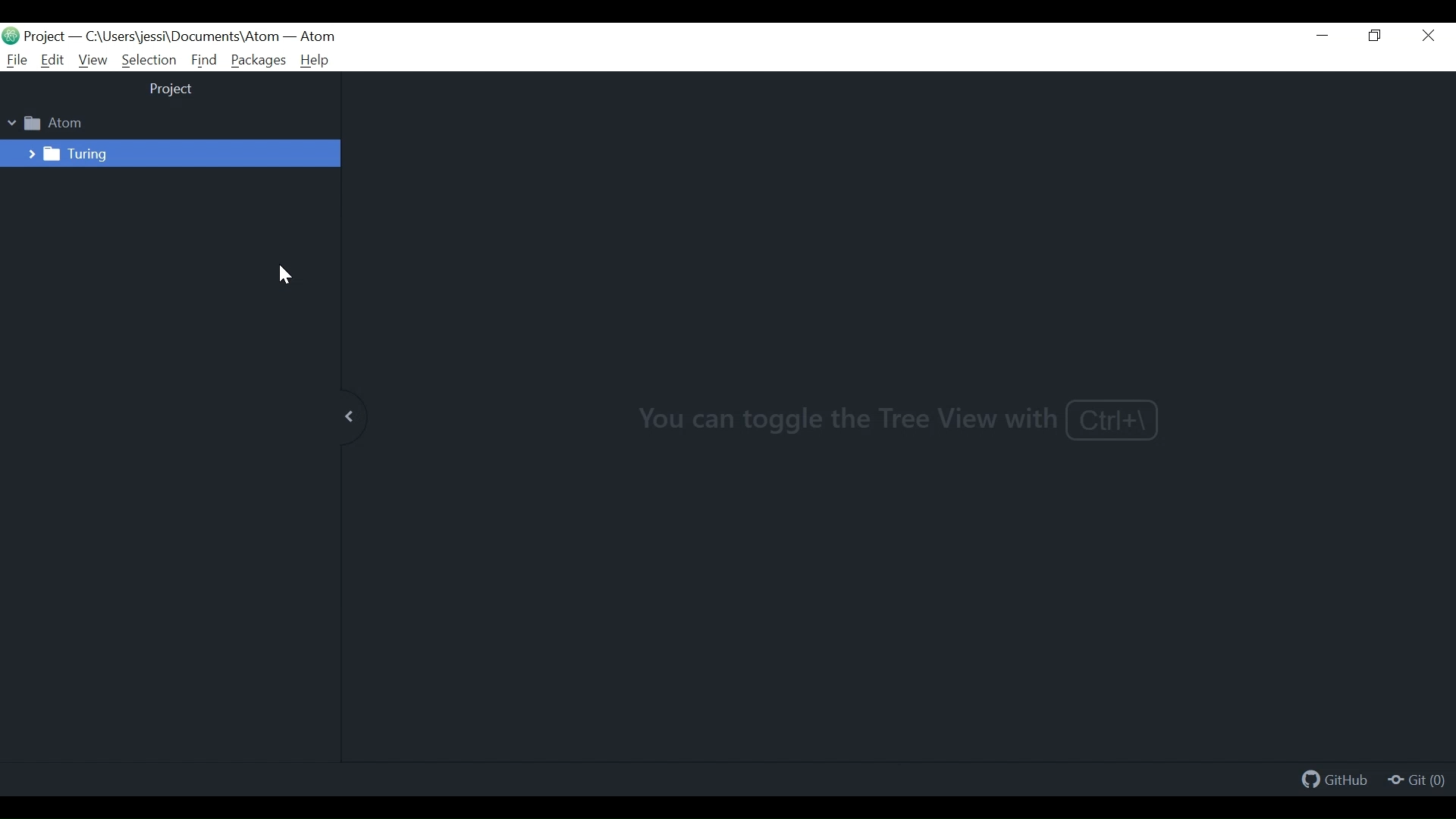 This screenshot has width=1456, height=819. What do you see at coordinates (1336, 782) in the screenshot?
I see `Github` at bounding box center [1336, 782].